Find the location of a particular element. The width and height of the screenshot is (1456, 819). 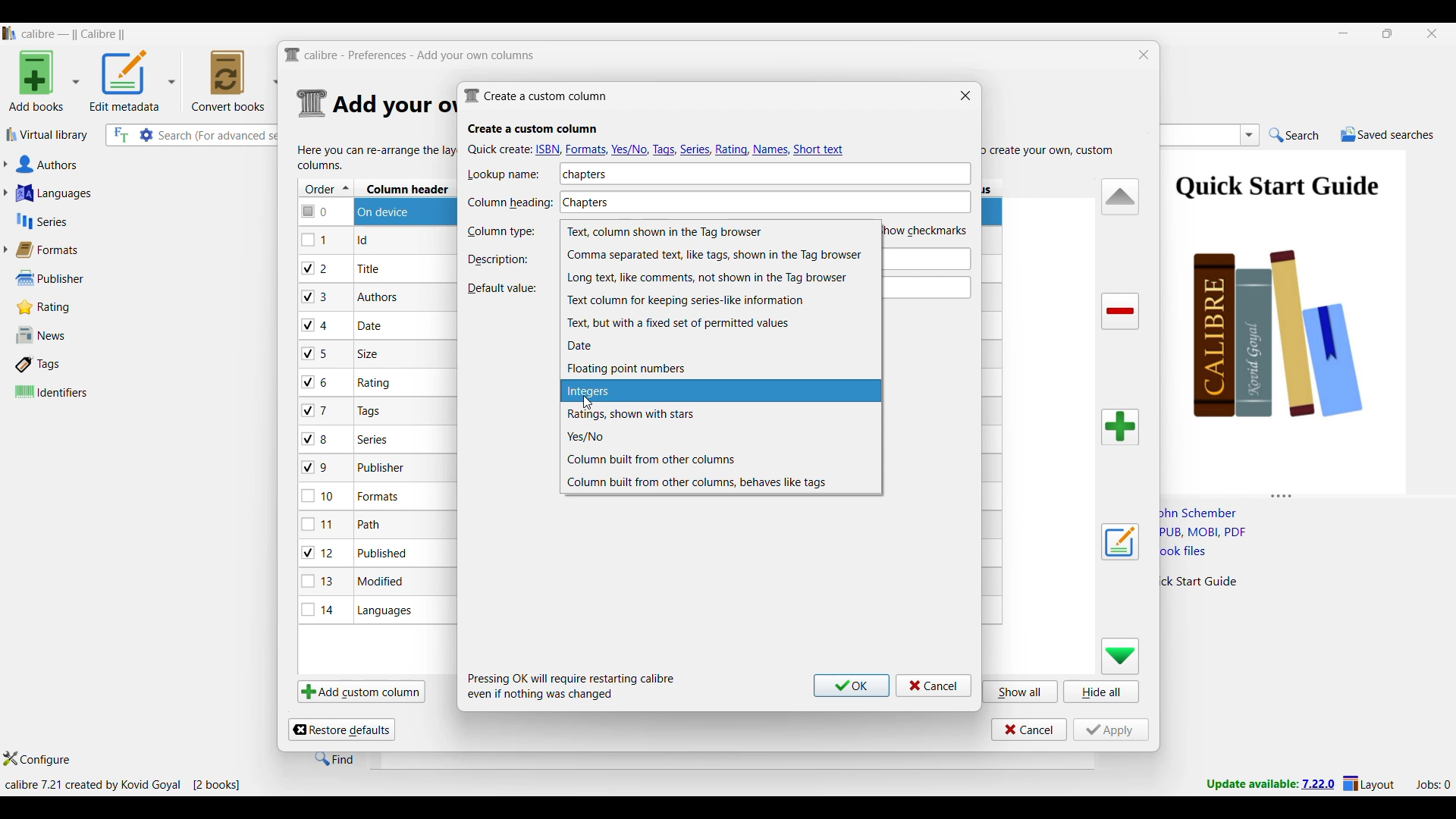

Window name is located at coordinates (535, 96).